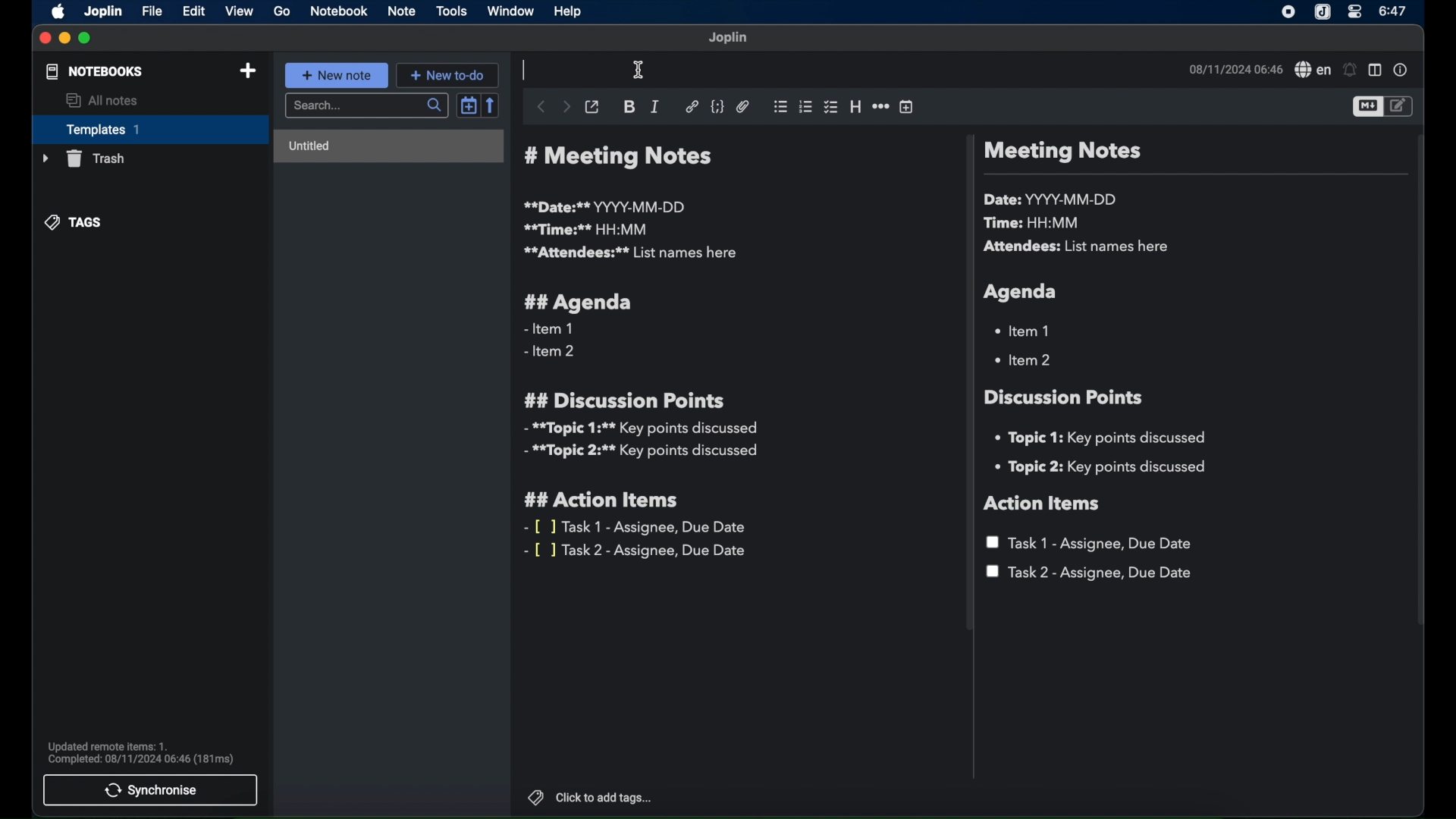 This screenshot has height=819, width=1456. What do you see at coordinates (539, 106) in the screenshot?
I see `back` at bounding box center [539, 106].